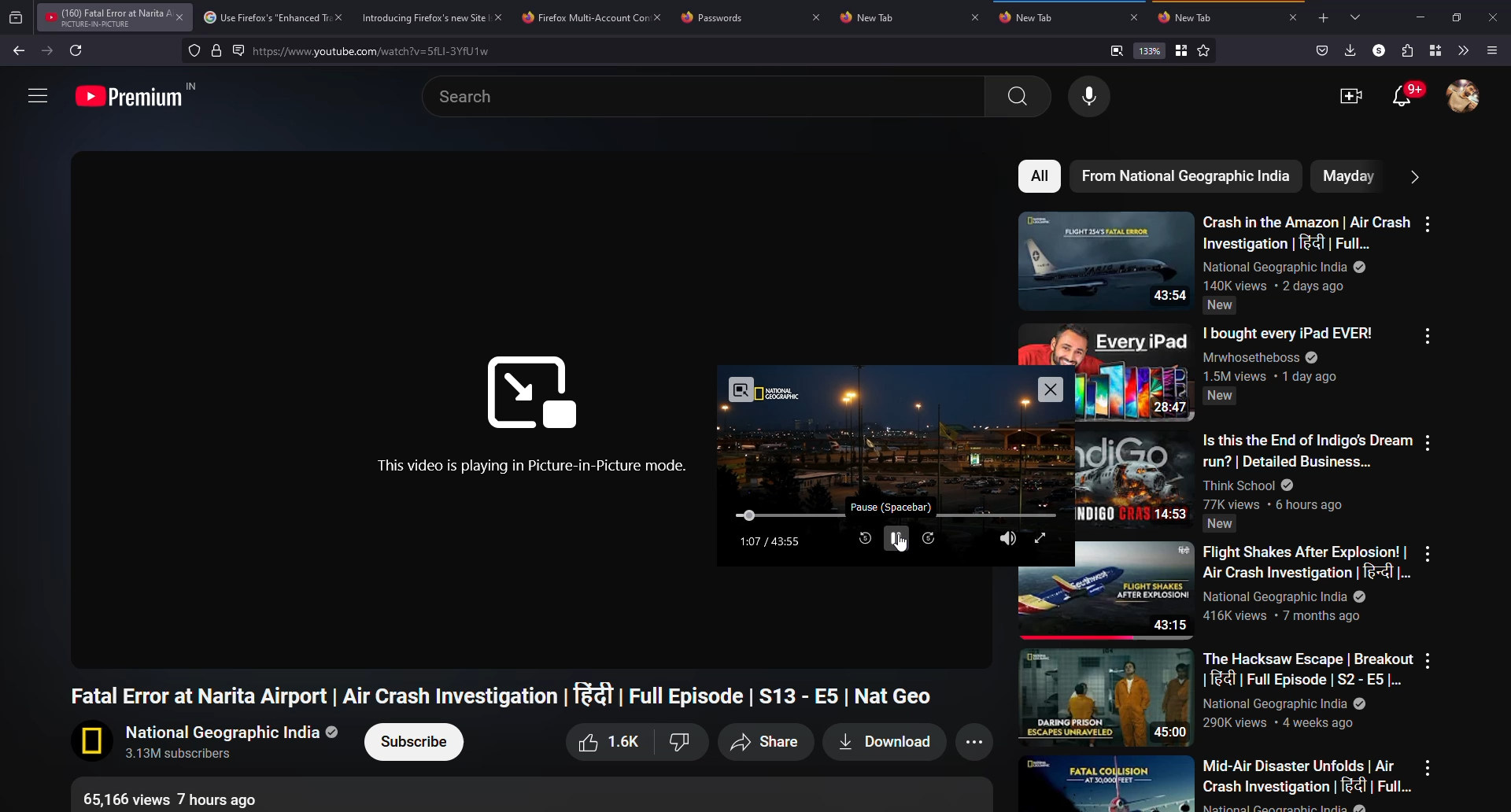  Describe the element at coordinates (1221, 305) in the screenshot. I see `Indicates content is new` at that location.